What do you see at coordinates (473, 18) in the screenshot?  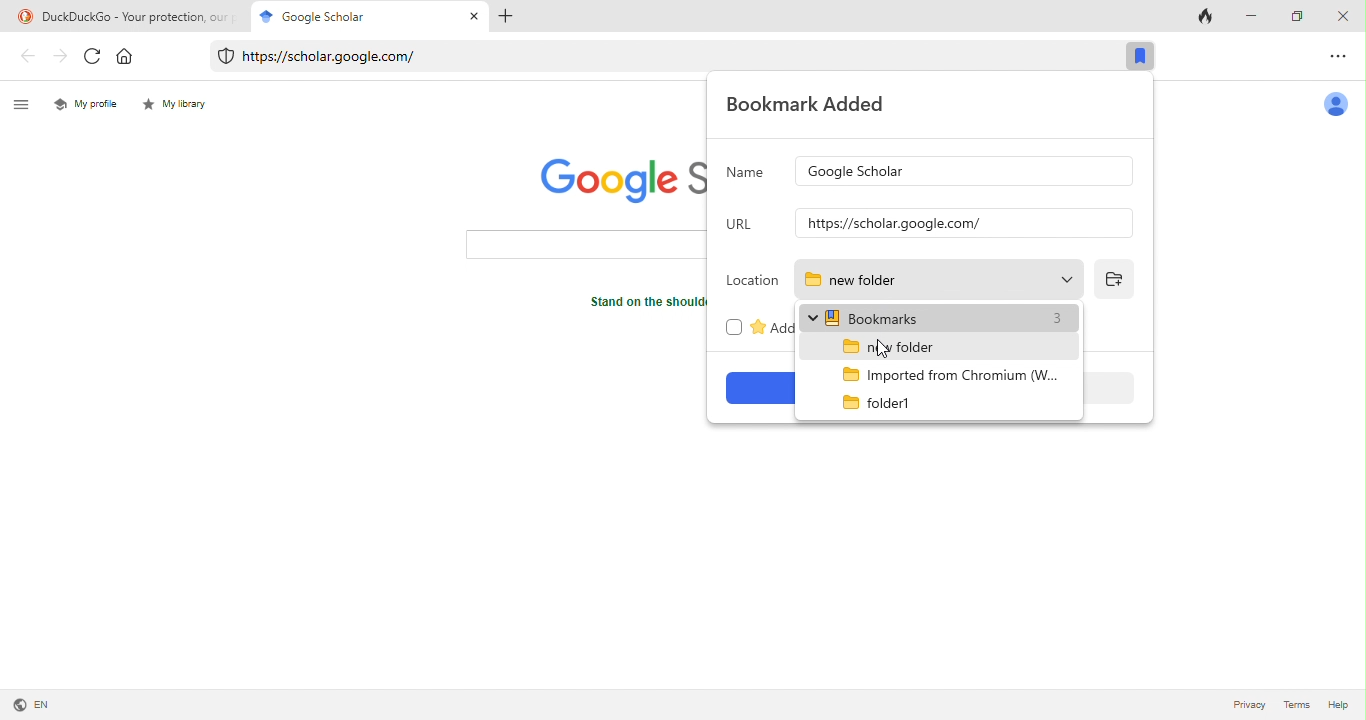 I see `close` at bounding box center [473, 18].